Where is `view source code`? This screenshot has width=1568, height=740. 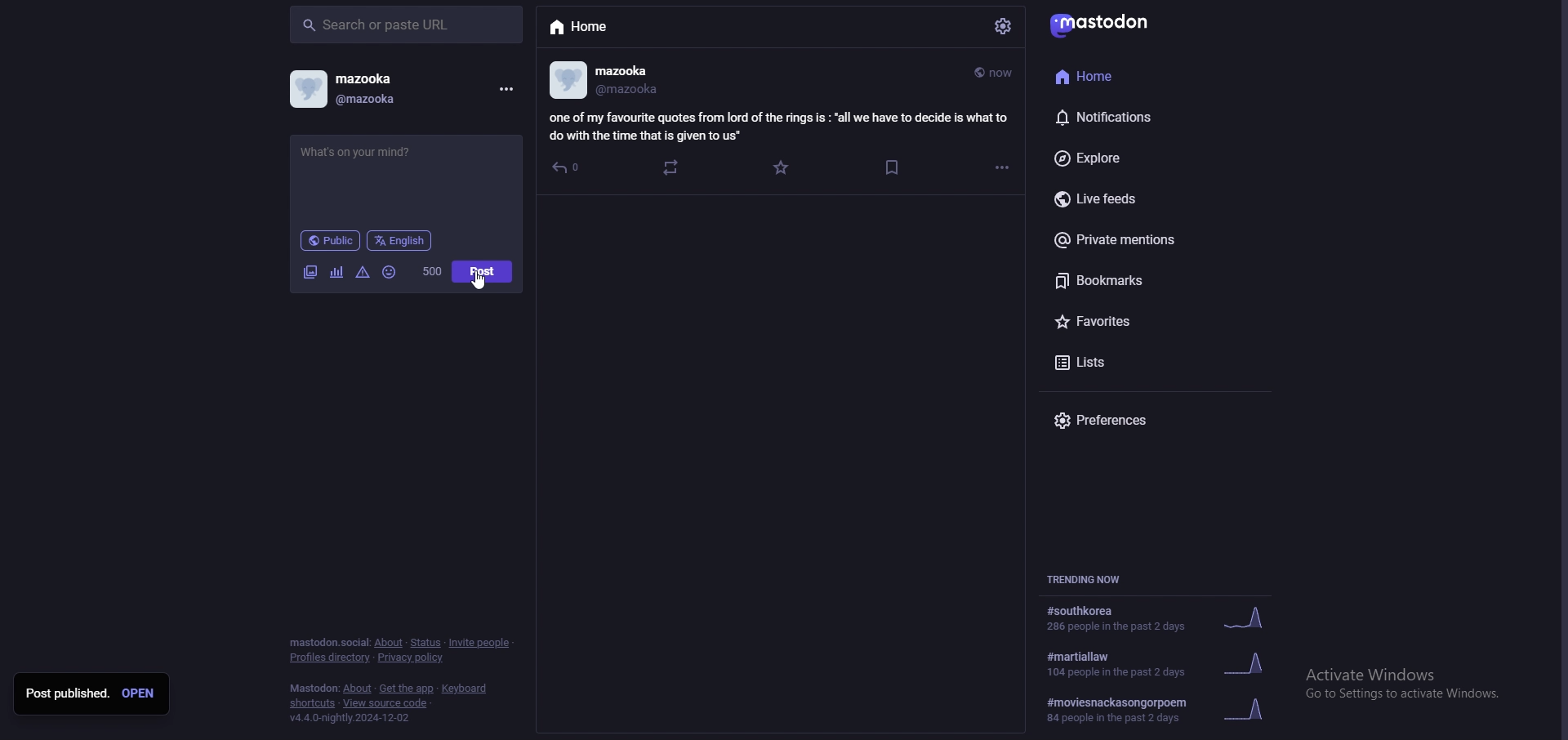 view source code is located at coordinates (385, 703).